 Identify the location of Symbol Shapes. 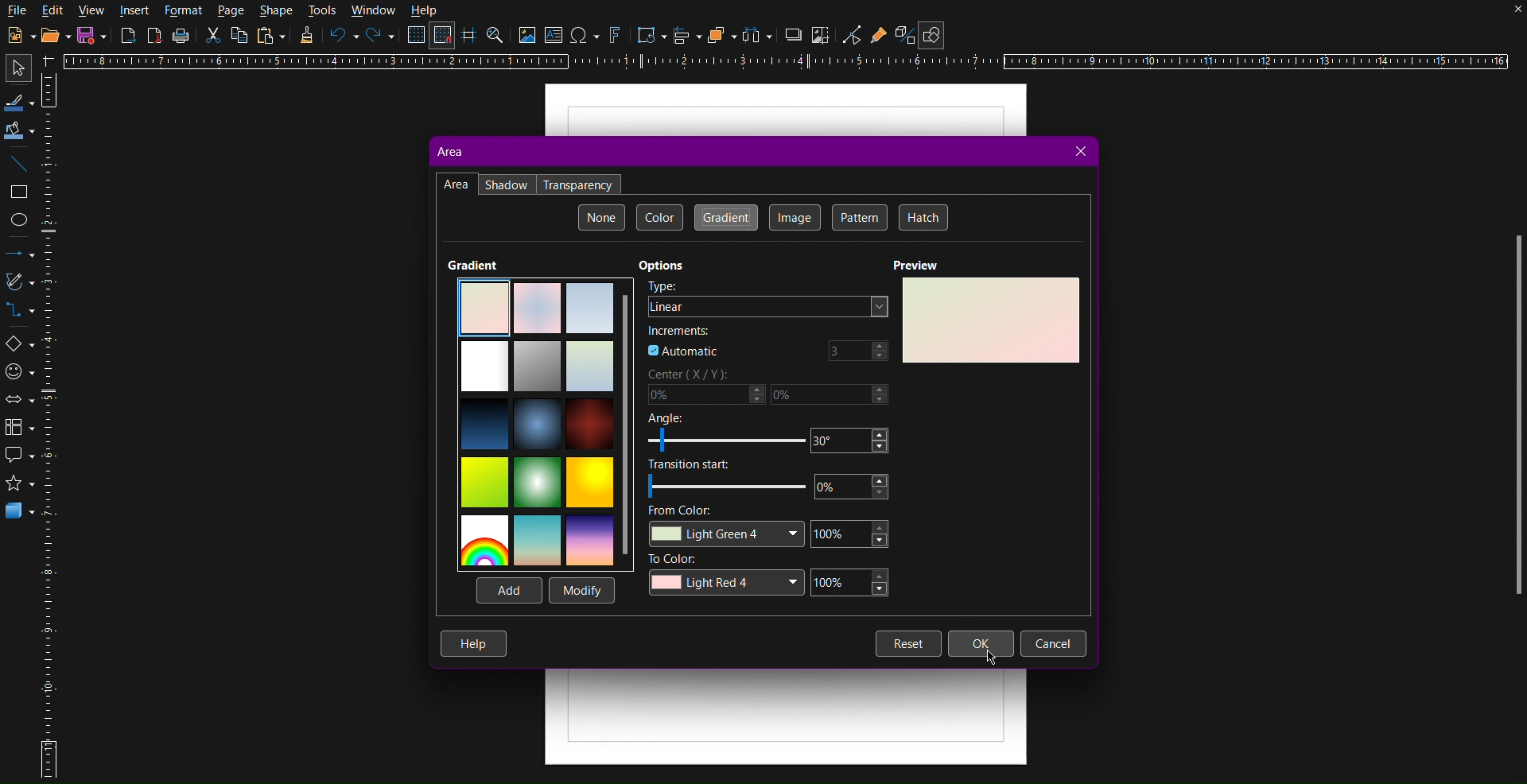
(19, 371).